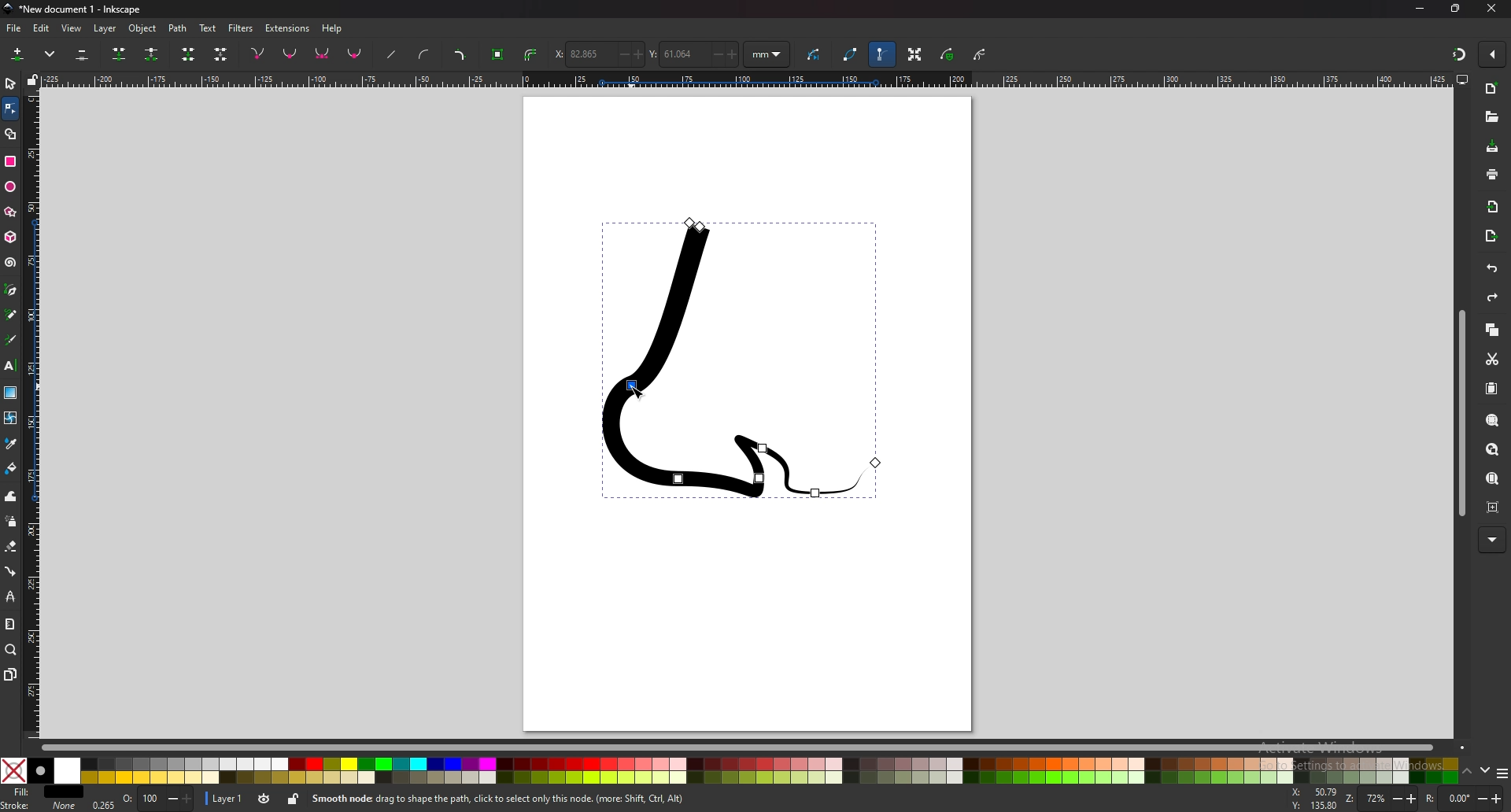  Describe the element at coordinates (10, 625) in the screenshot. I see `measure` at that location.